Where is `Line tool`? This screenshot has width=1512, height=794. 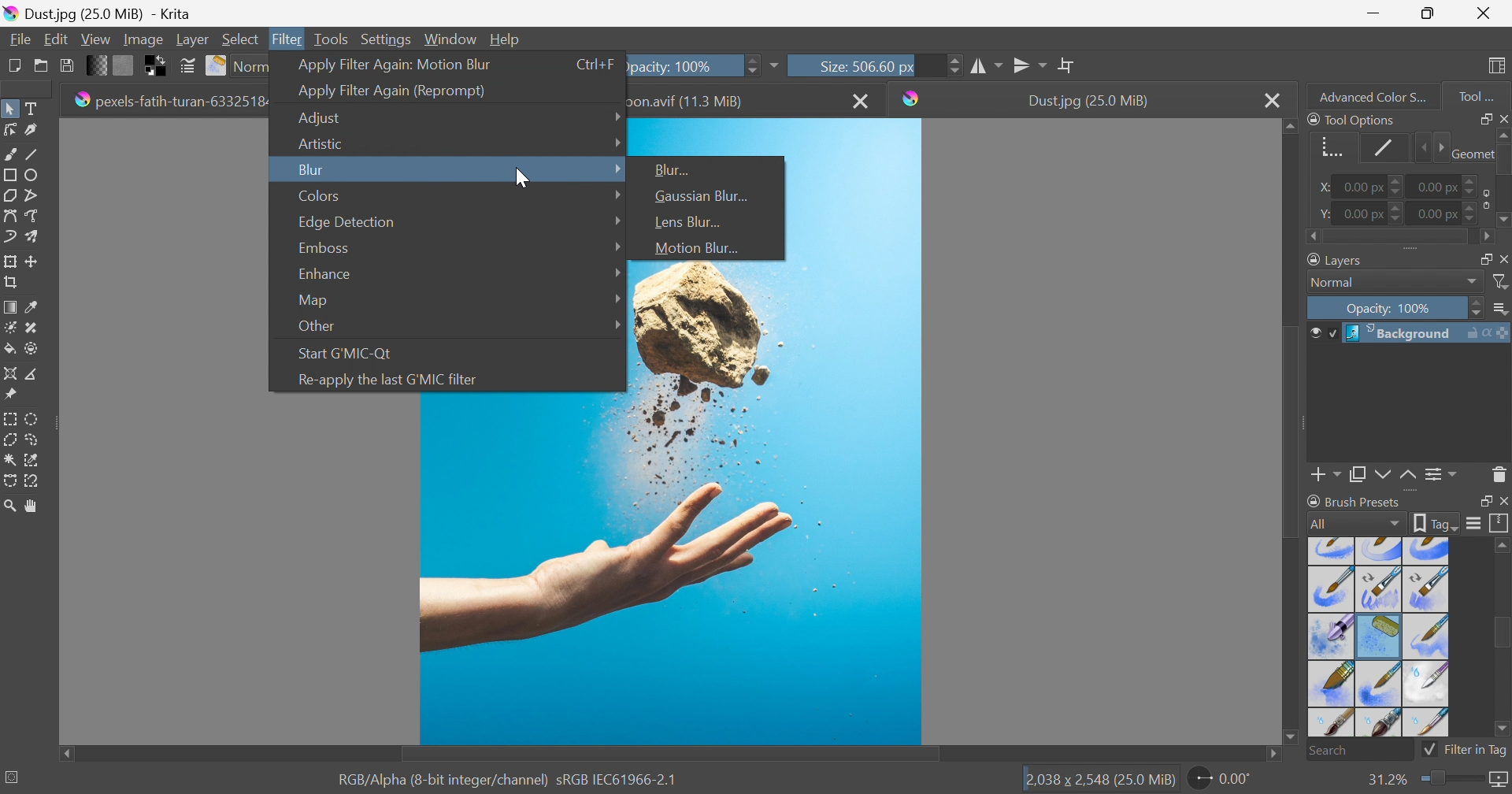
Line tool is located at coordinates (38, 154).